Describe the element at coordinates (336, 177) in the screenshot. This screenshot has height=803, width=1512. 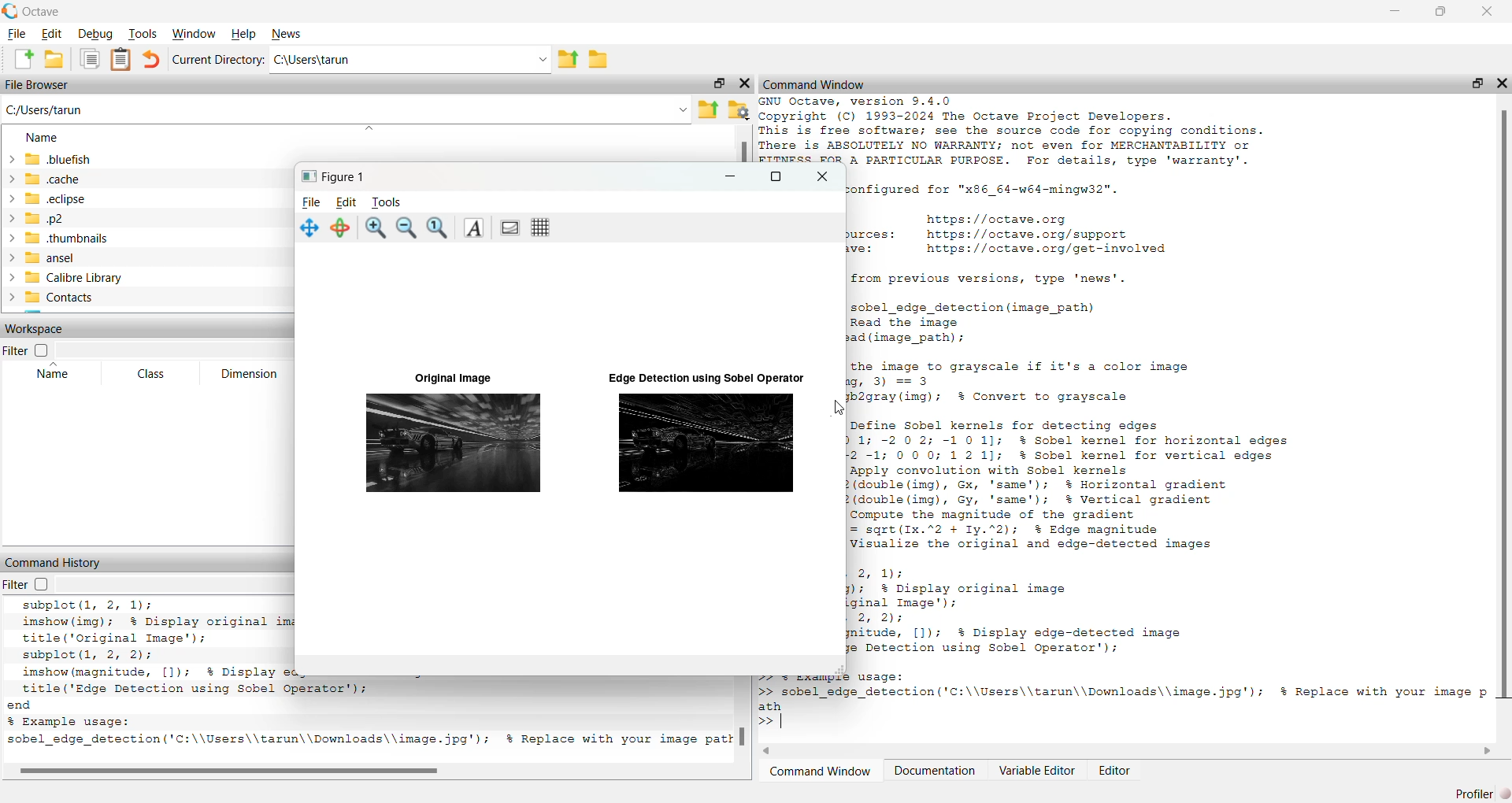
I see `figure 1` at that location.